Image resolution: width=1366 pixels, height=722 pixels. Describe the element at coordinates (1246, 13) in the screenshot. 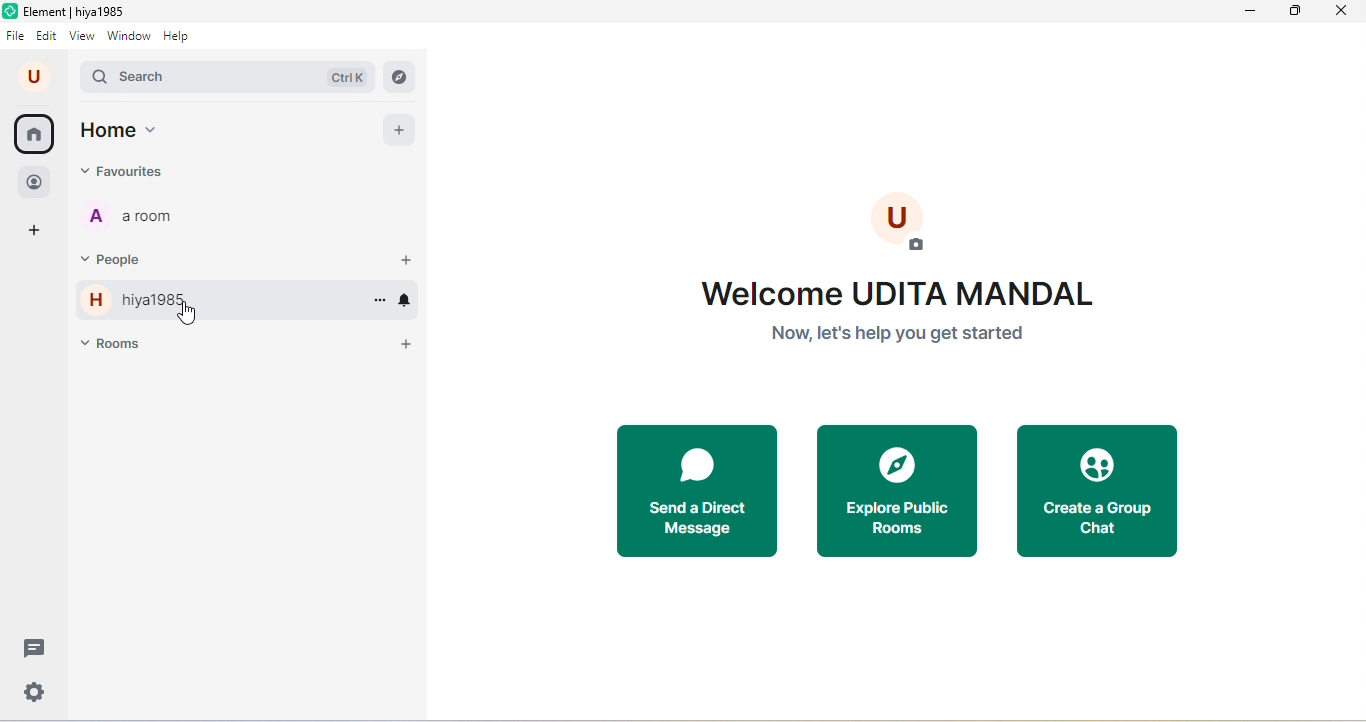

I see `minimize` at that location.